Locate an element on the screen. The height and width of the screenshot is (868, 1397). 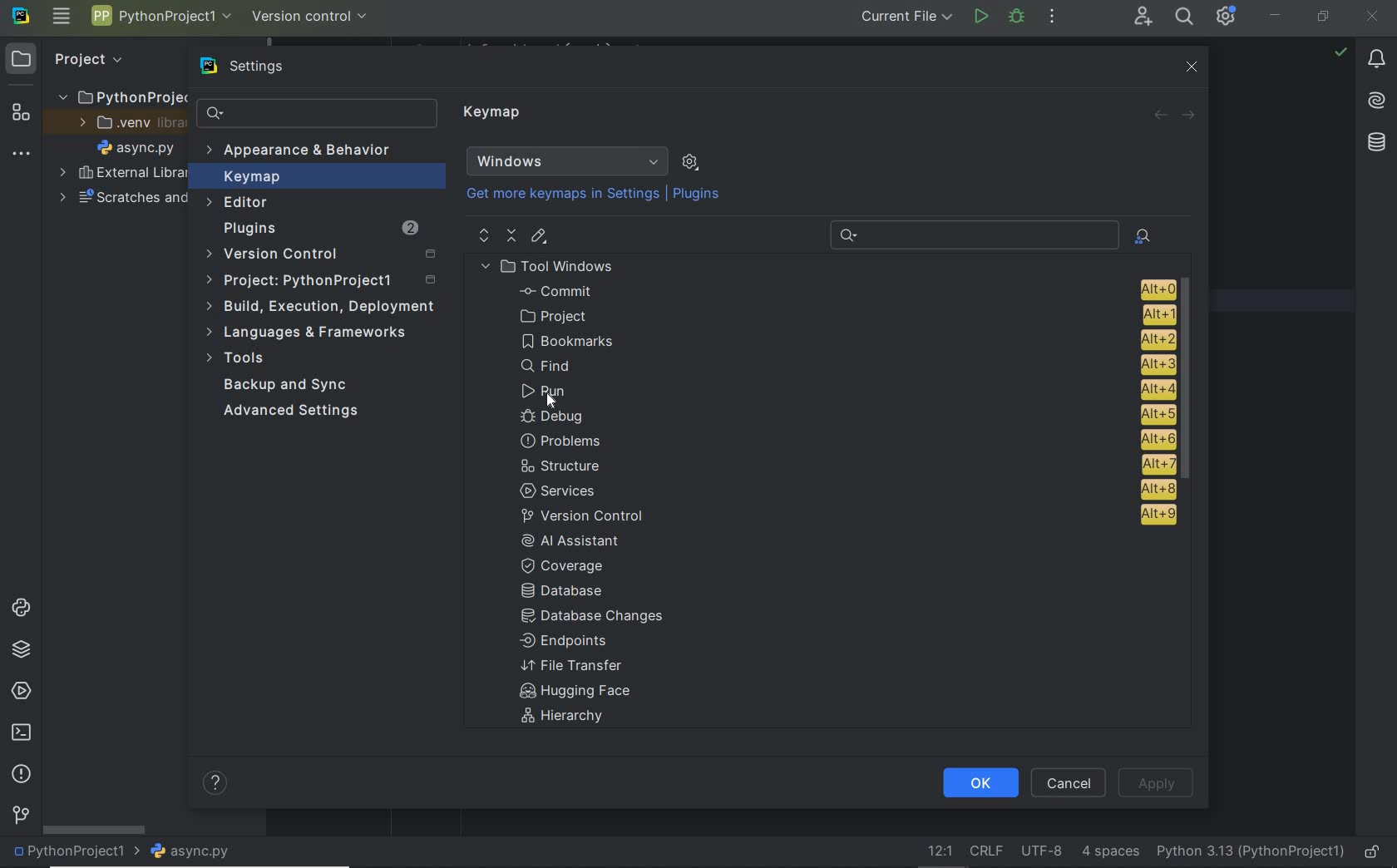
Project is located at coordinates (324, 281).